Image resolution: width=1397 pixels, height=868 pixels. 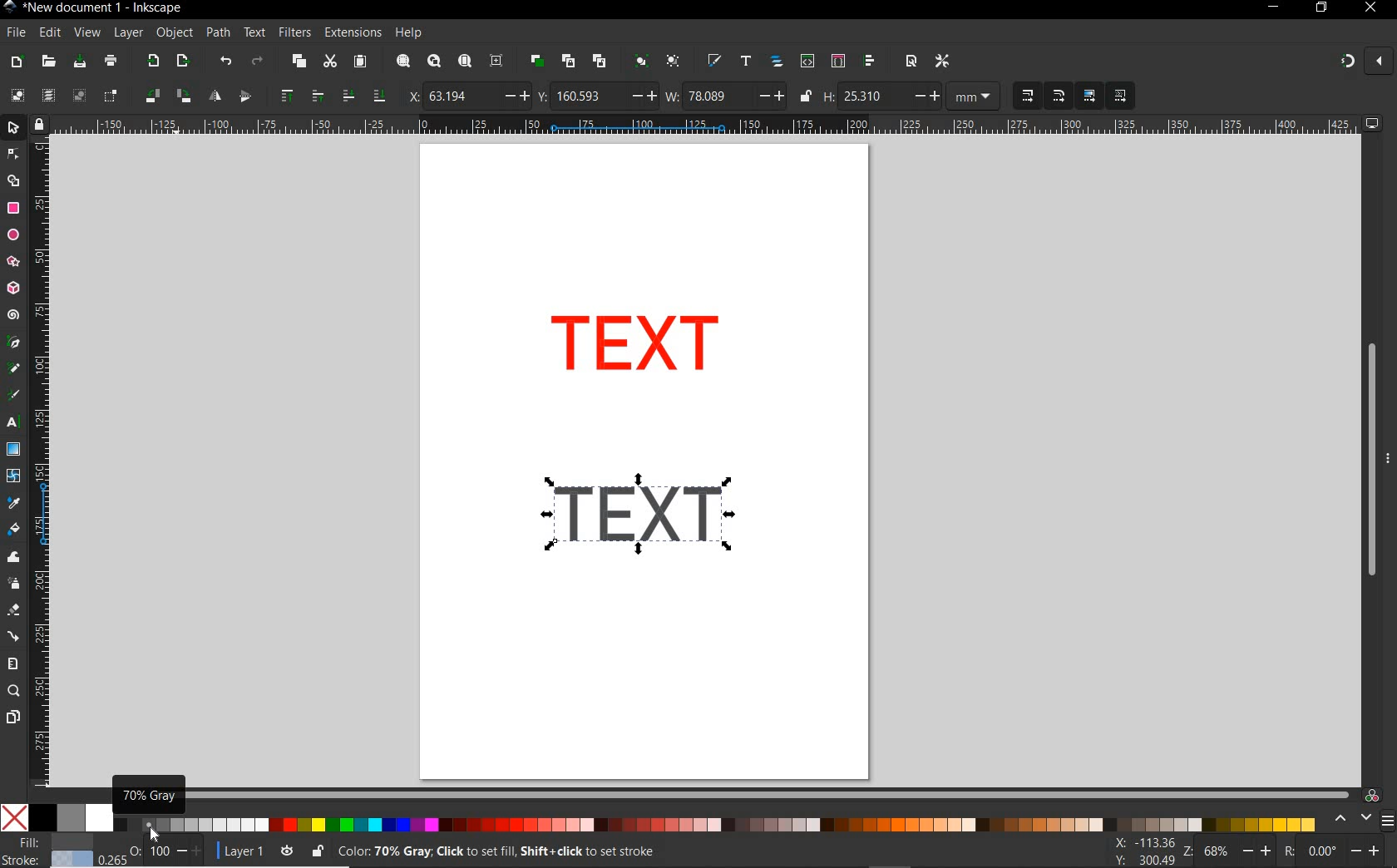 What do you see at coordinates (17, 96) in the screenshot?
I see `select all` at bounding box center [17, 96].